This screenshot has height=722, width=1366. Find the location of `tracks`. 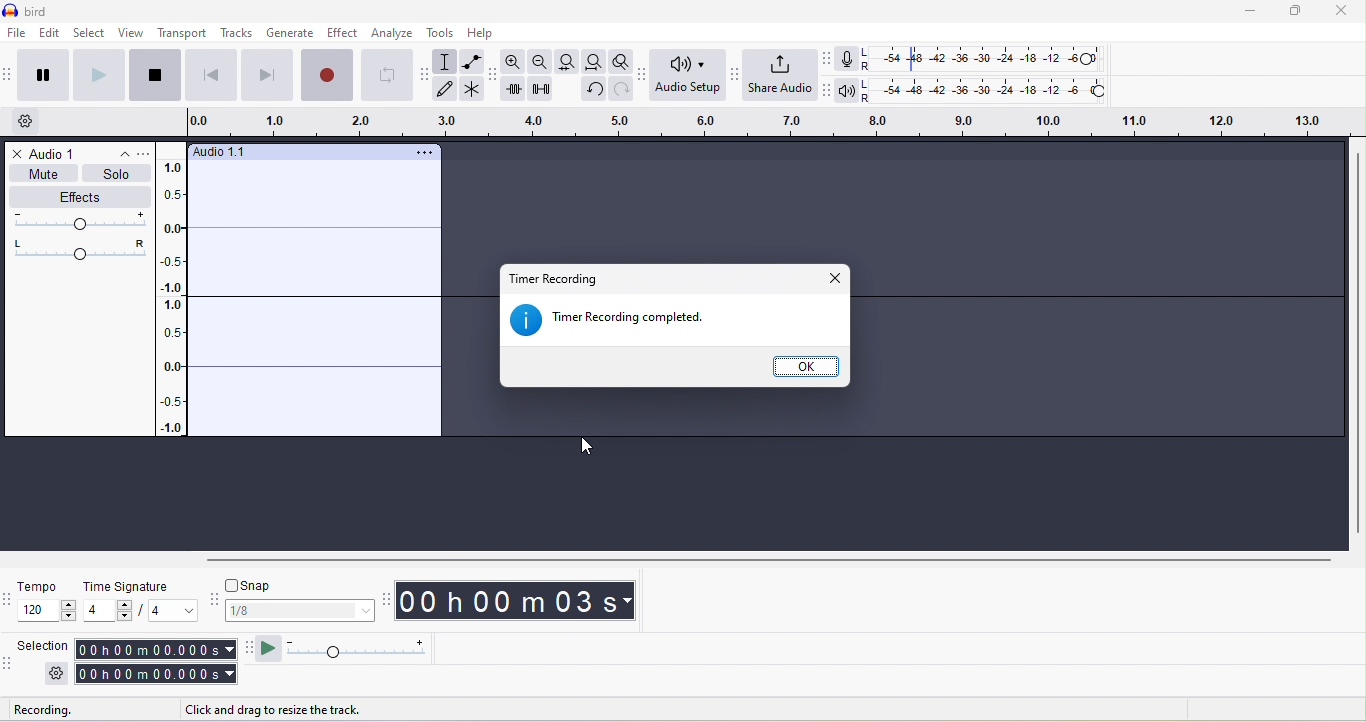

tracks is located at coordinates (236, 34).